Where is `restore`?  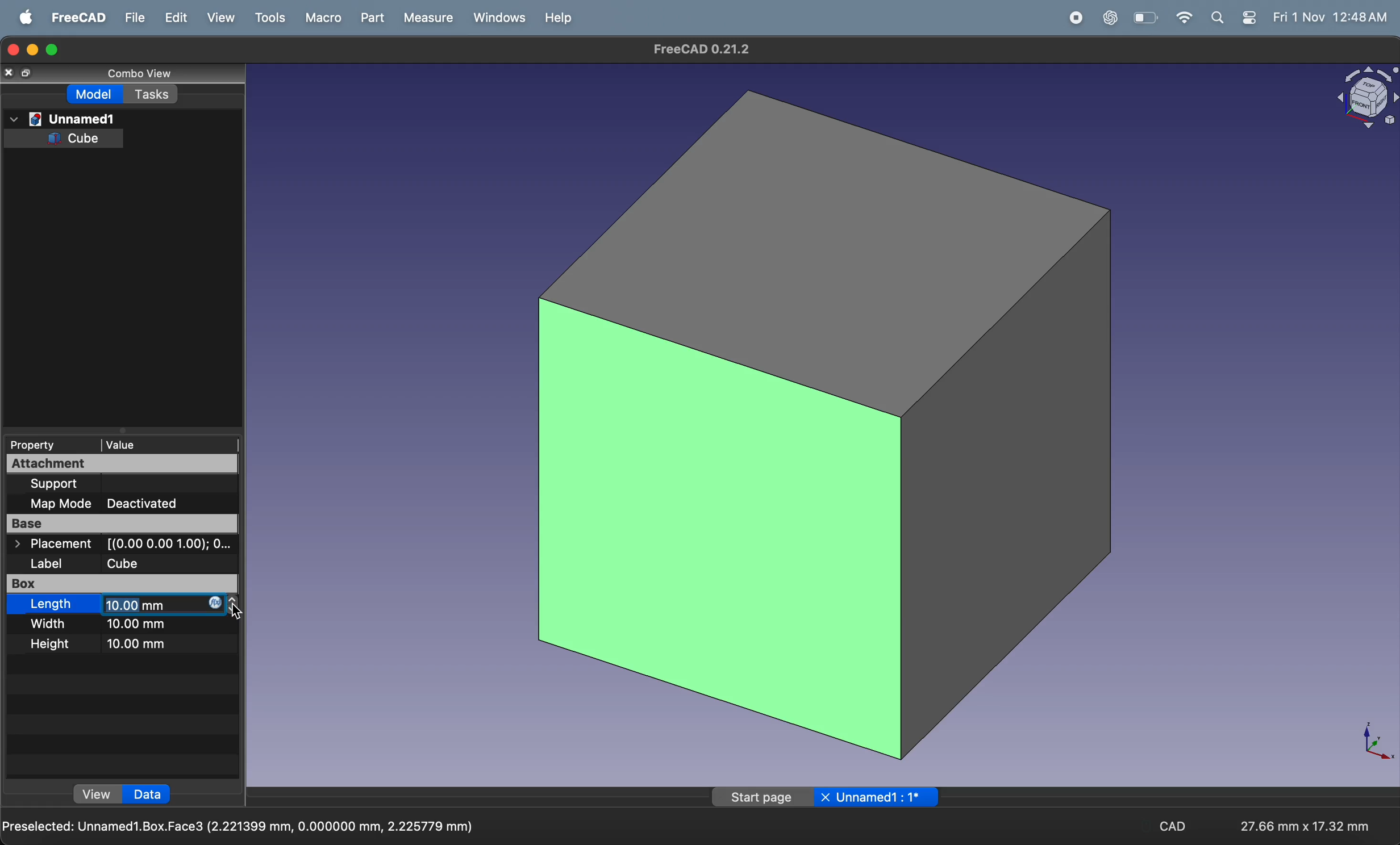 restore is located at coordinates (27, 74).